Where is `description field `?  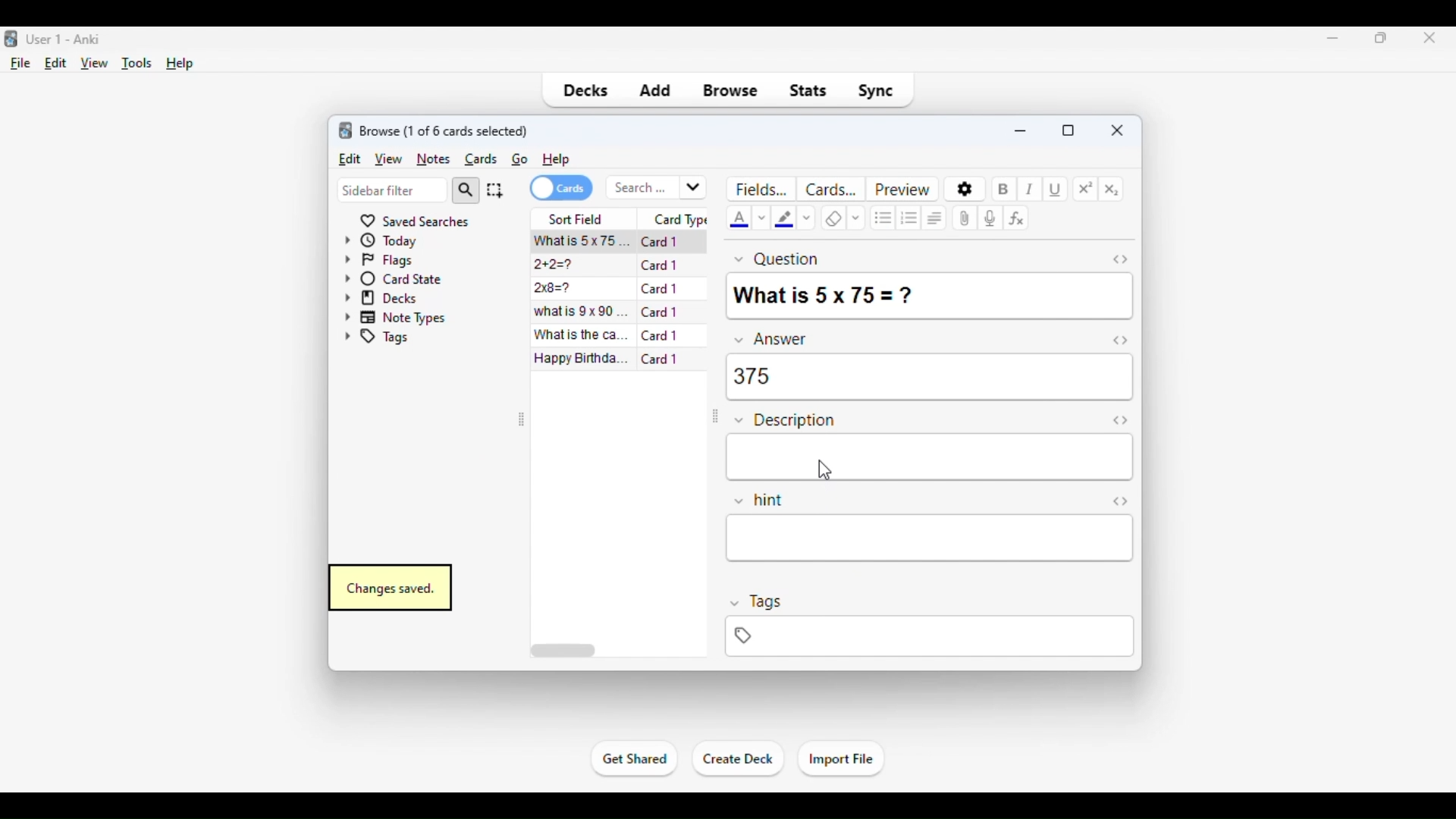
description field  is located at coordinates (786, 420).